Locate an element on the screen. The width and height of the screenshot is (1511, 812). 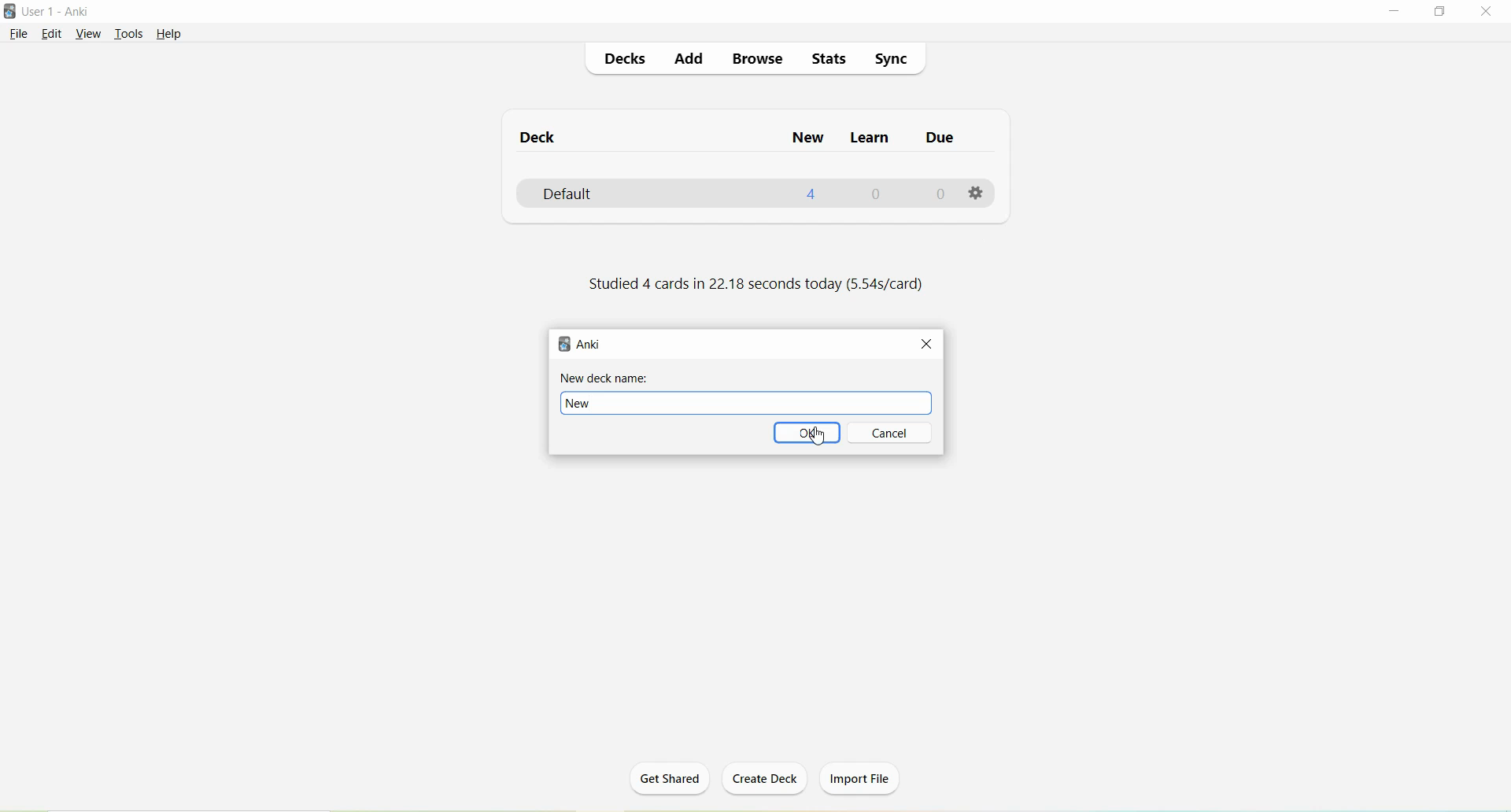
0 is located at coordinates (937, 196).